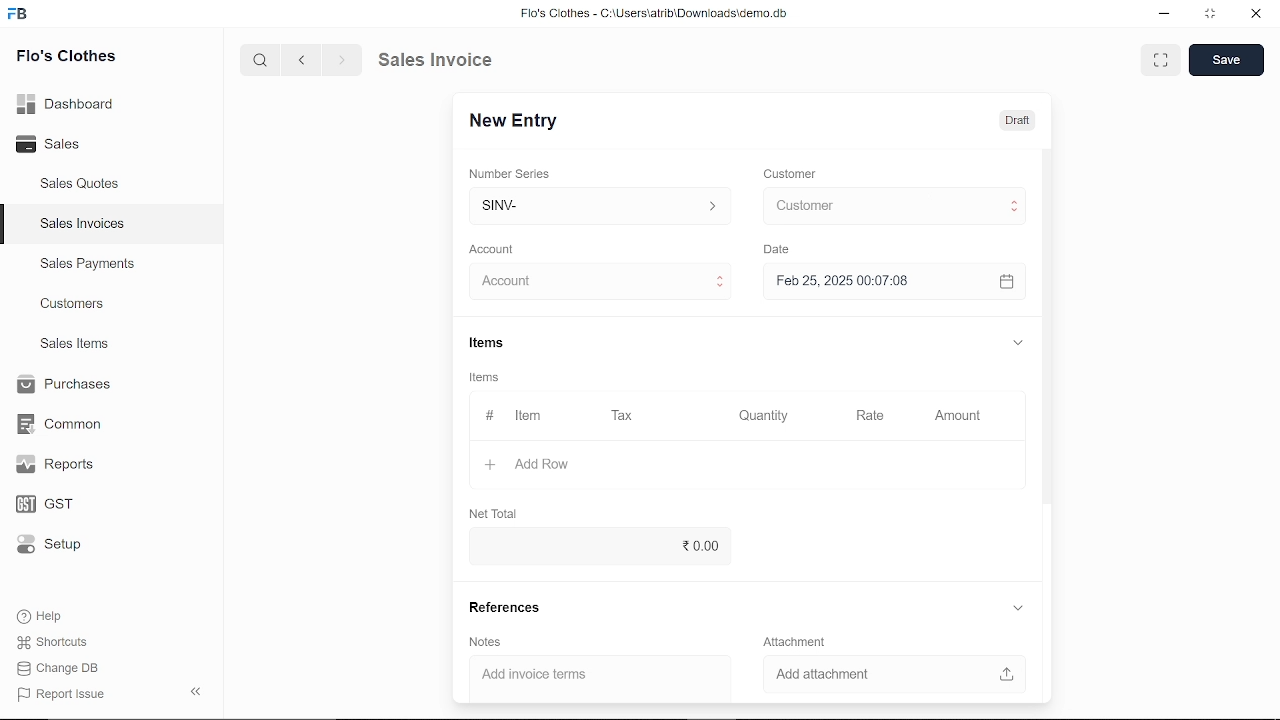  Describe the element at coordinates (840, 208) in the screenshot. I see `cursor` at that location.